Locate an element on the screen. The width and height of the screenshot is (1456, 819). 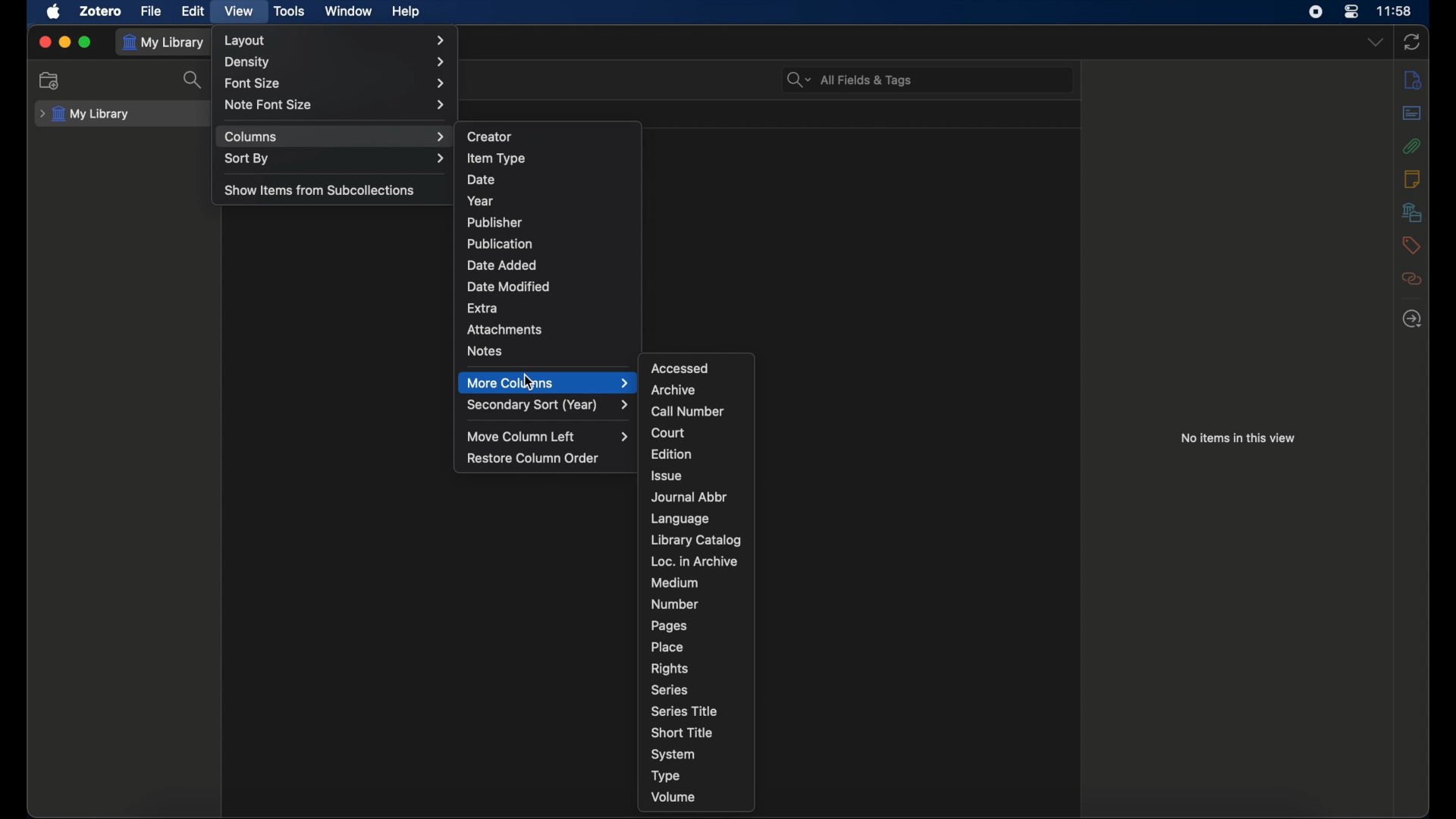
layout is located at coordinates (336, 40).